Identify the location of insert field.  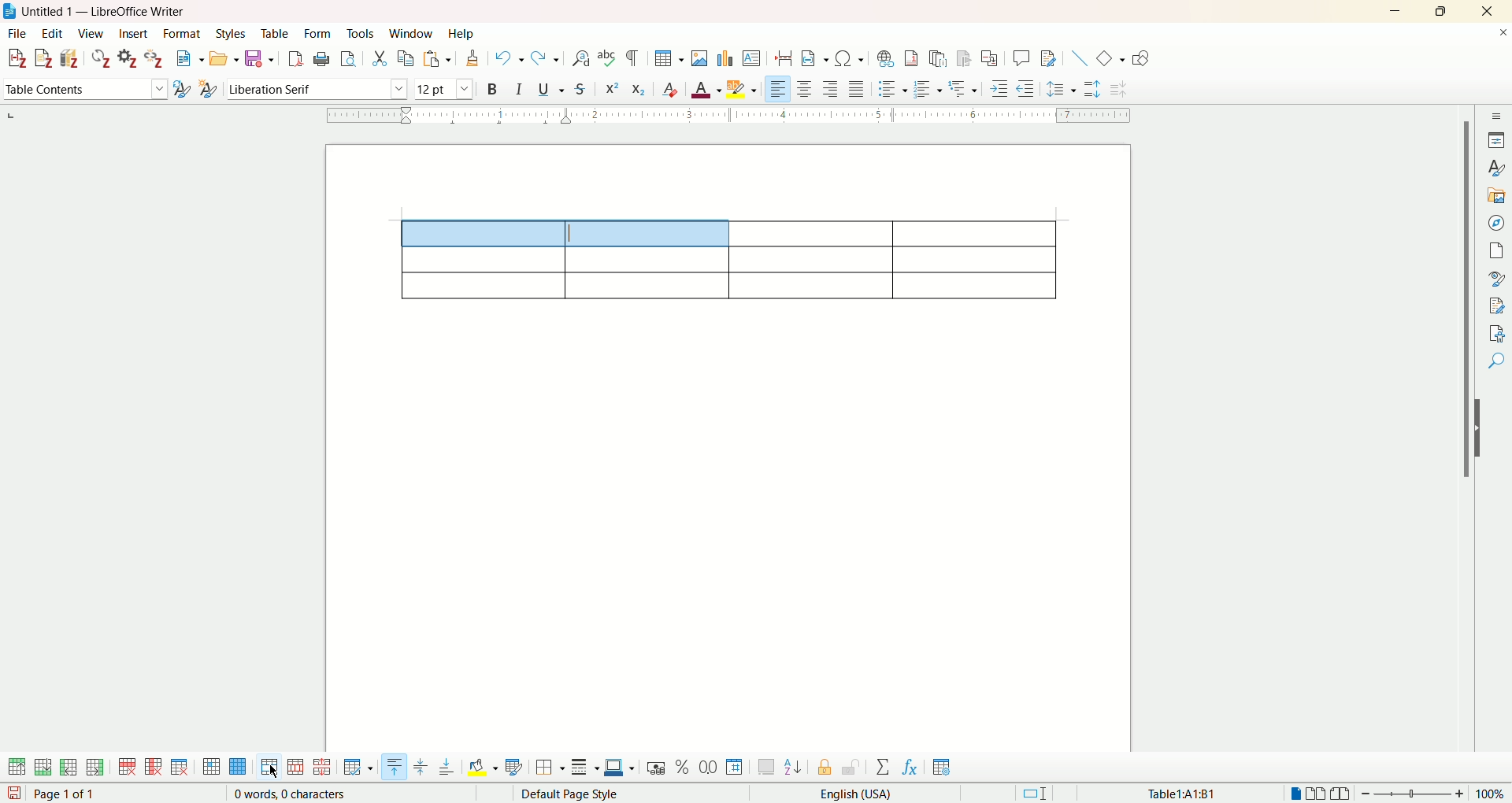
(814, 58).